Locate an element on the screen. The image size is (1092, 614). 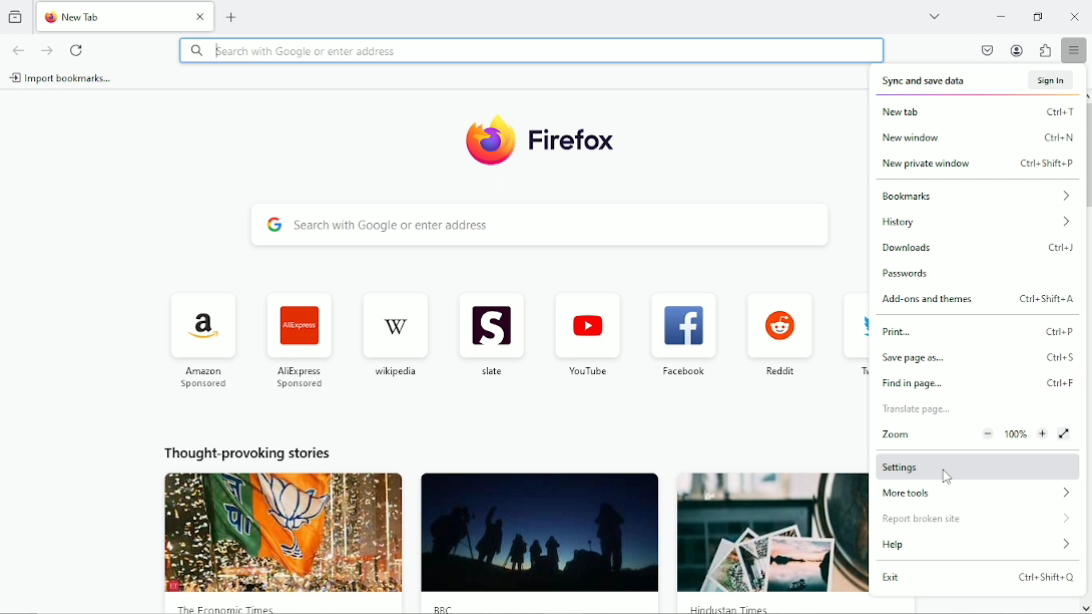
restore down is located at coordinates (1039, 16).